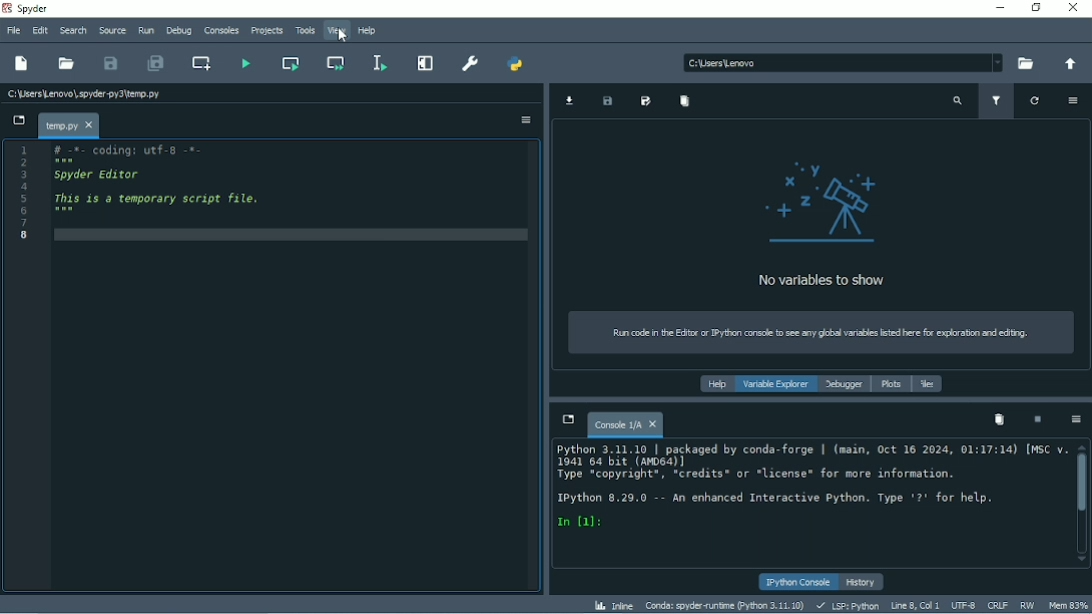 The width and height of the screenshot is (1092, 614). What do you see at coordinates (85, 91) in the screenshot?
I see `File name` at bounding box center [85, 91].